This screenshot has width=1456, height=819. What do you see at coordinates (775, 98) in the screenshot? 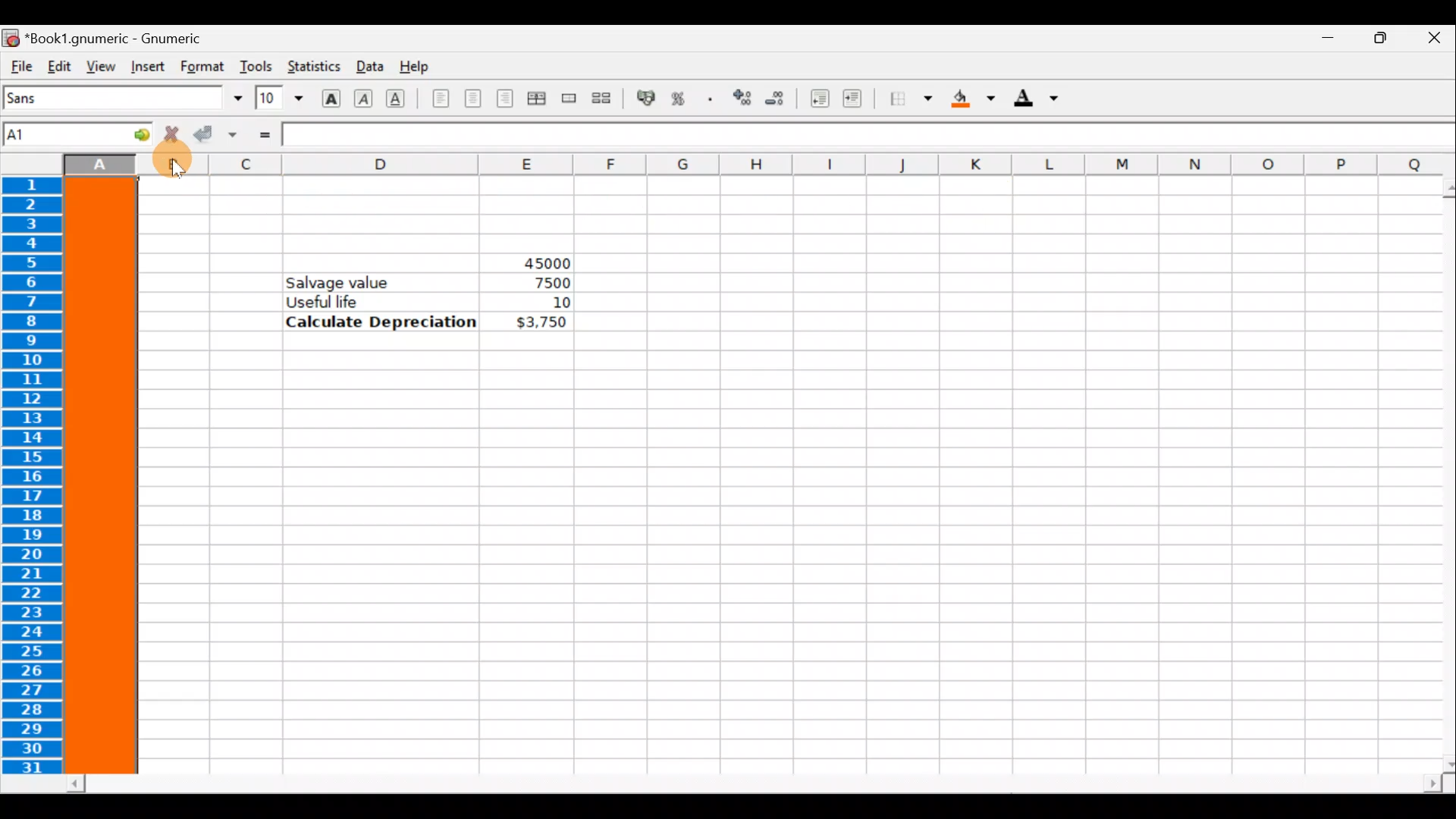
I see `Decrease the number of decimals` at bounding box center [775, 98].